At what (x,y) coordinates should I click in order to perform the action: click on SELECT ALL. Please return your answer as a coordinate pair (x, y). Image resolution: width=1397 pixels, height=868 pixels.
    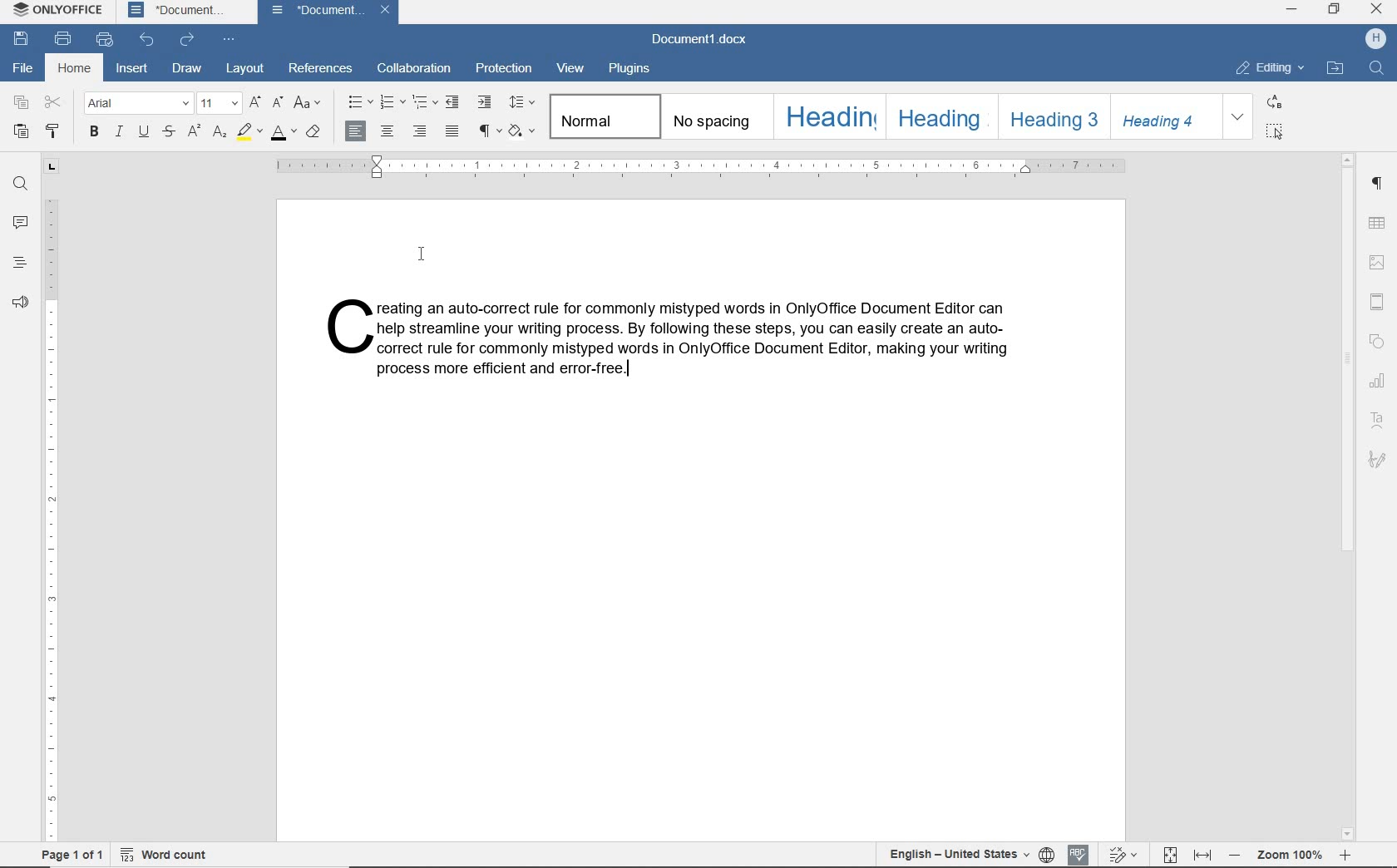
    Looking at the image, I should click on (1276, 132).